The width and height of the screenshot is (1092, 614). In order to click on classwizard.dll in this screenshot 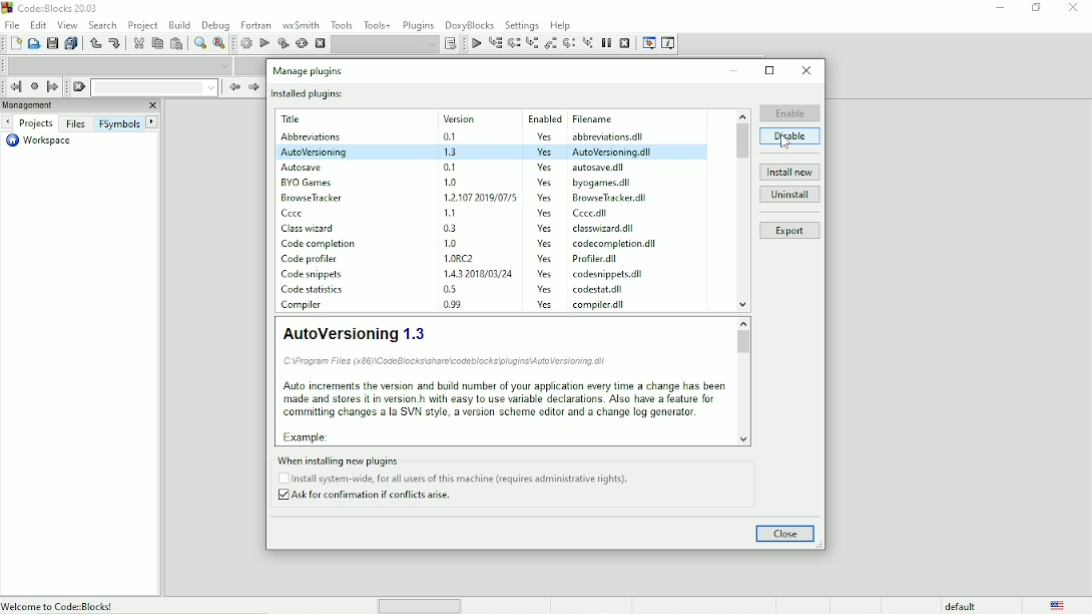, I will do `click(601, 229)`.